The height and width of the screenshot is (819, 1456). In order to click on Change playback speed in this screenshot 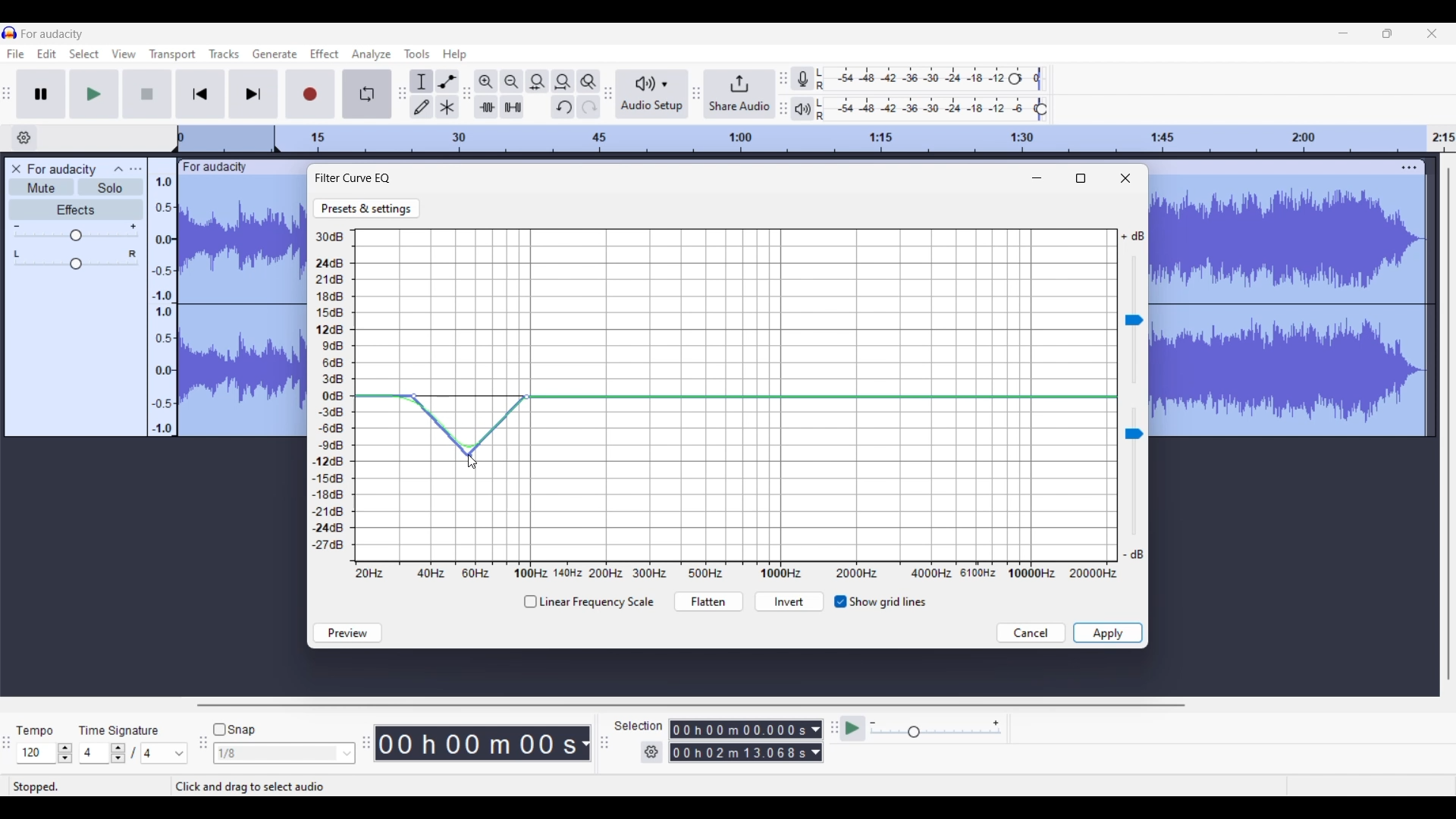, I will do `click(935, 733)`.